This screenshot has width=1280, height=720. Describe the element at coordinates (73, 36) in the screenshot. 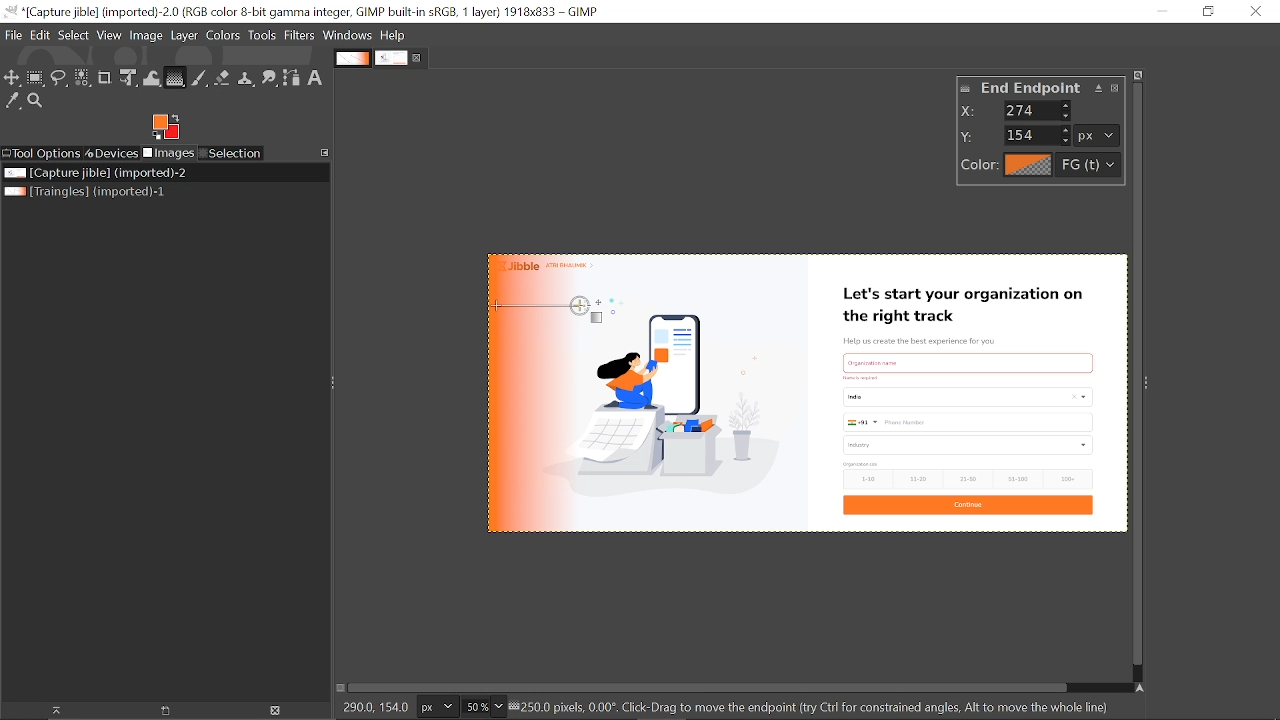

I see `Select` at that location.